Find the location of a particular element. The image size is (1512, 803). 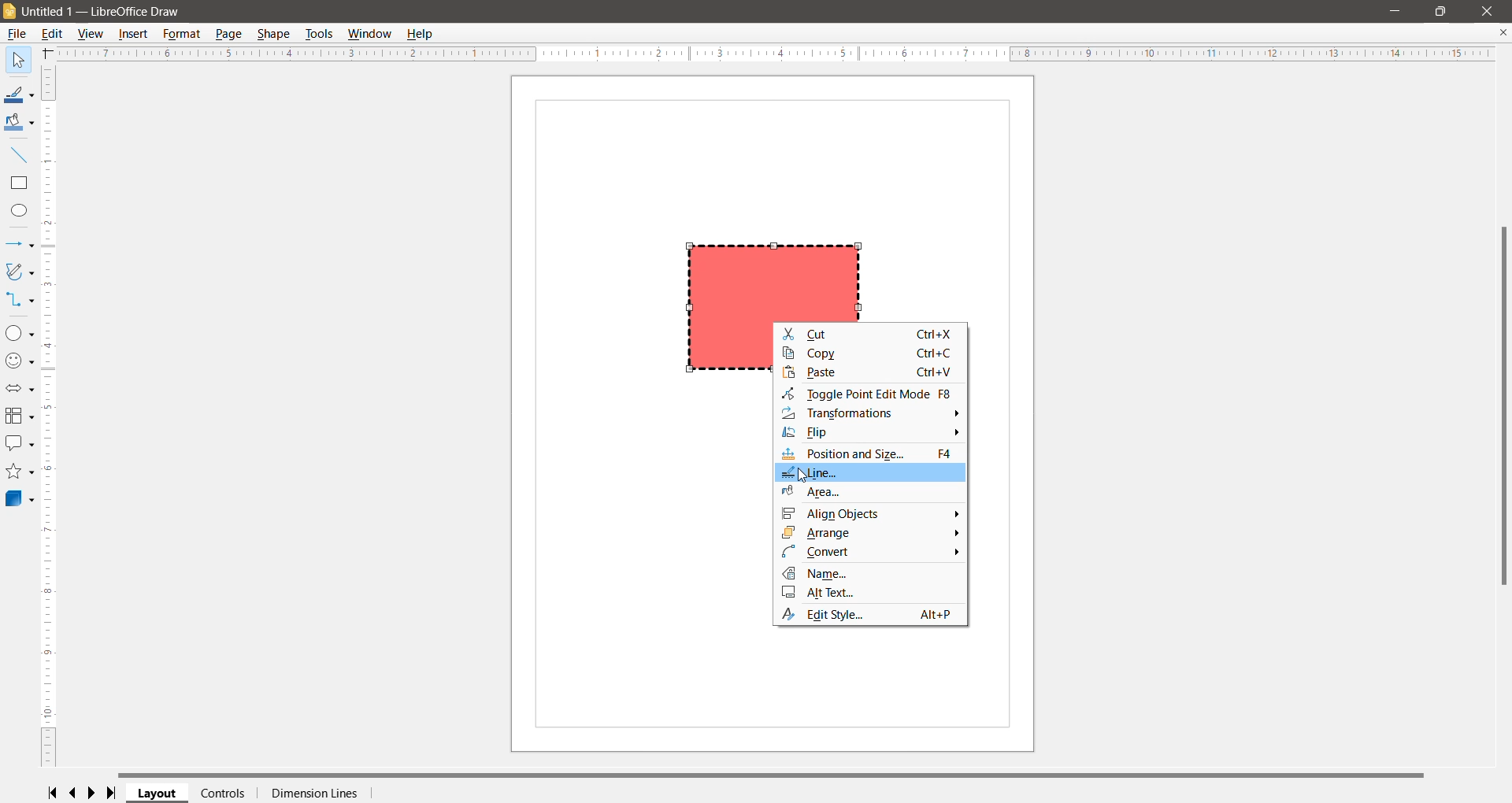

Block Arrows is located at coordinates (20, 389).